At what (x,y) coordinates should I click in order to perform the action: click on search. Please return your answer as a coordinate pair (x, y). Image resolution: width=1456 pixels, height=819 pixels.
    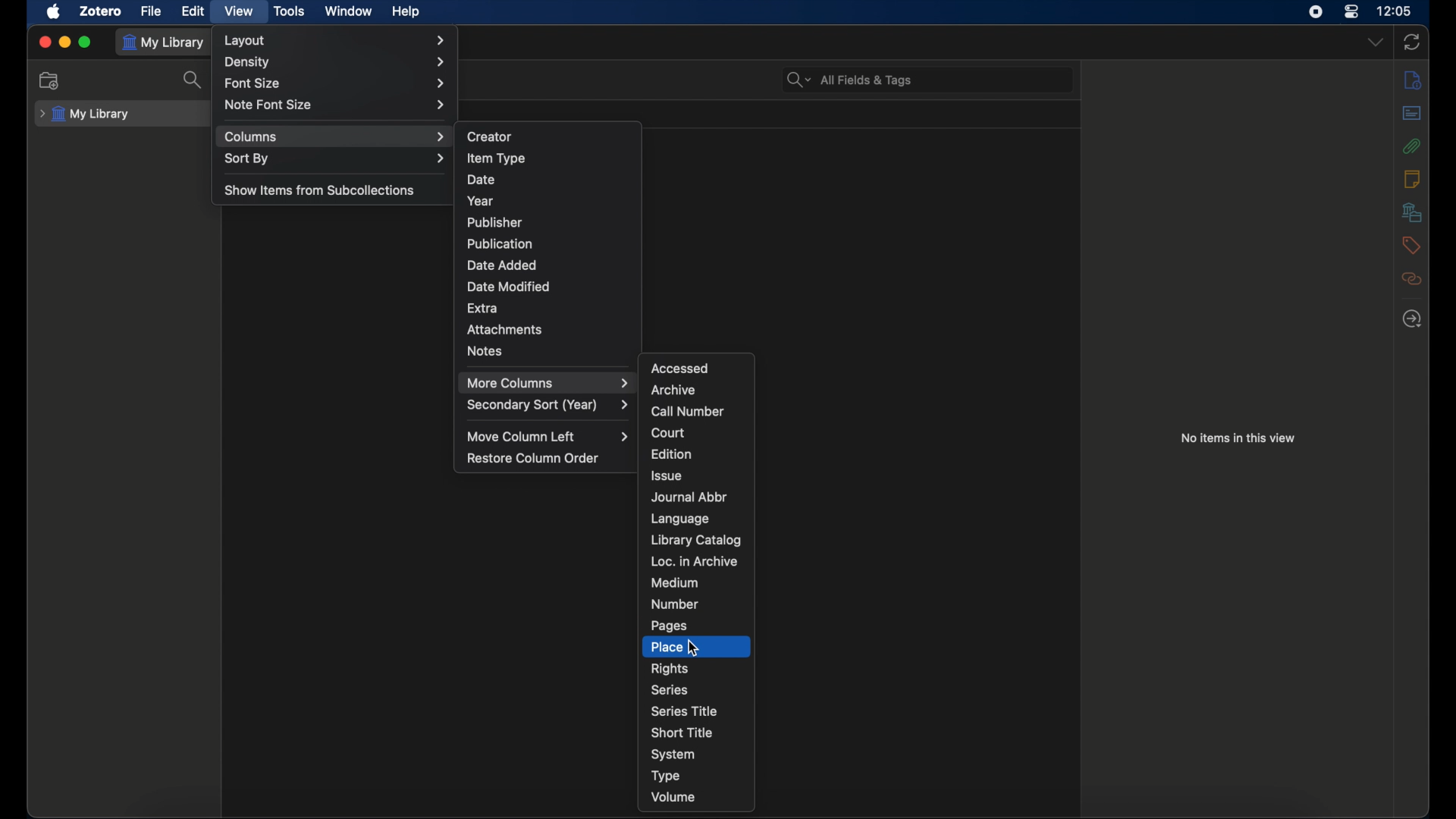
    Looking at the image, I should click on (195, 80).